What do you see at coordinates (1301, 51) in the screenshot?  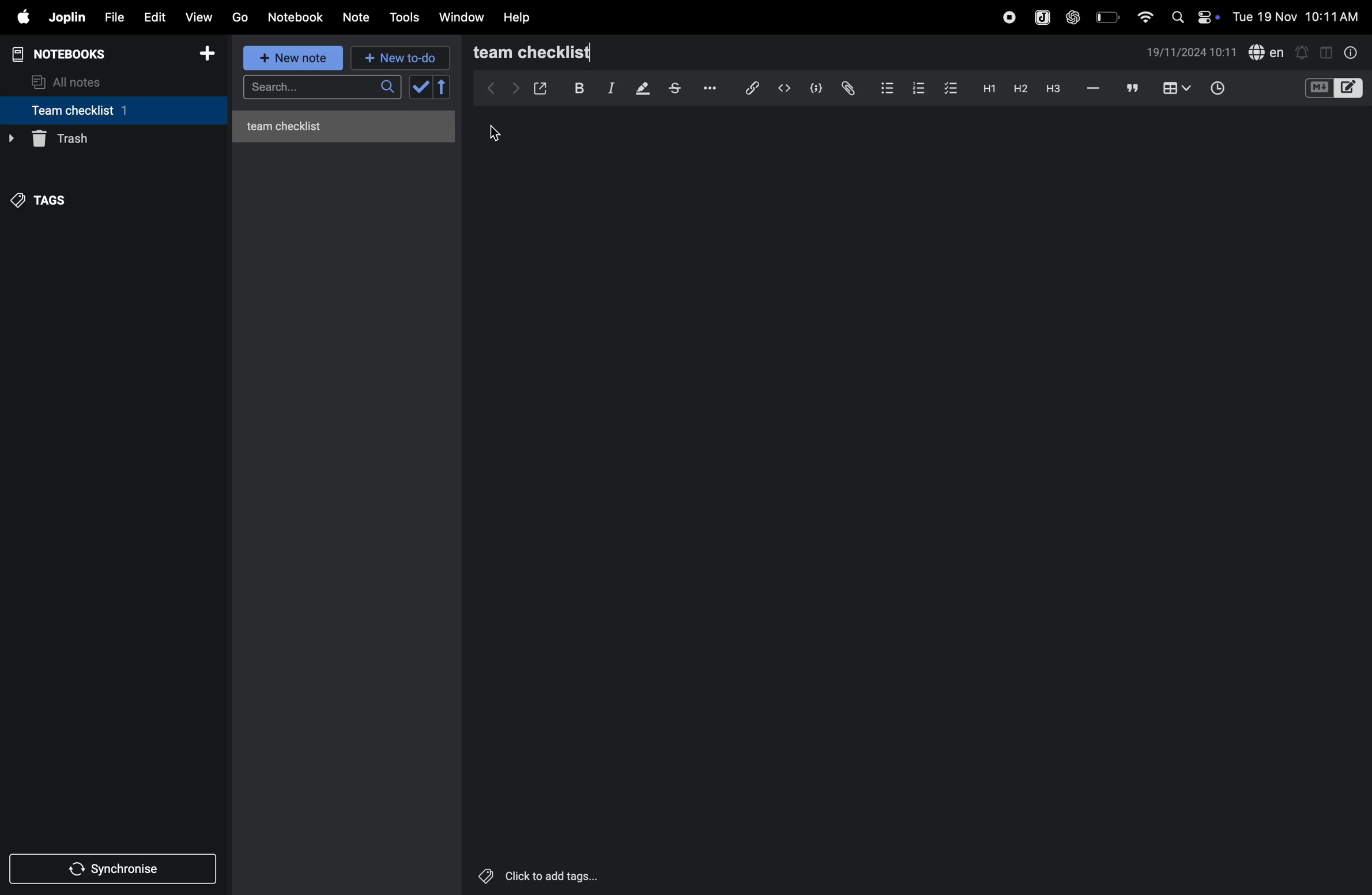 I see `` at bounding box center [1301, 51].